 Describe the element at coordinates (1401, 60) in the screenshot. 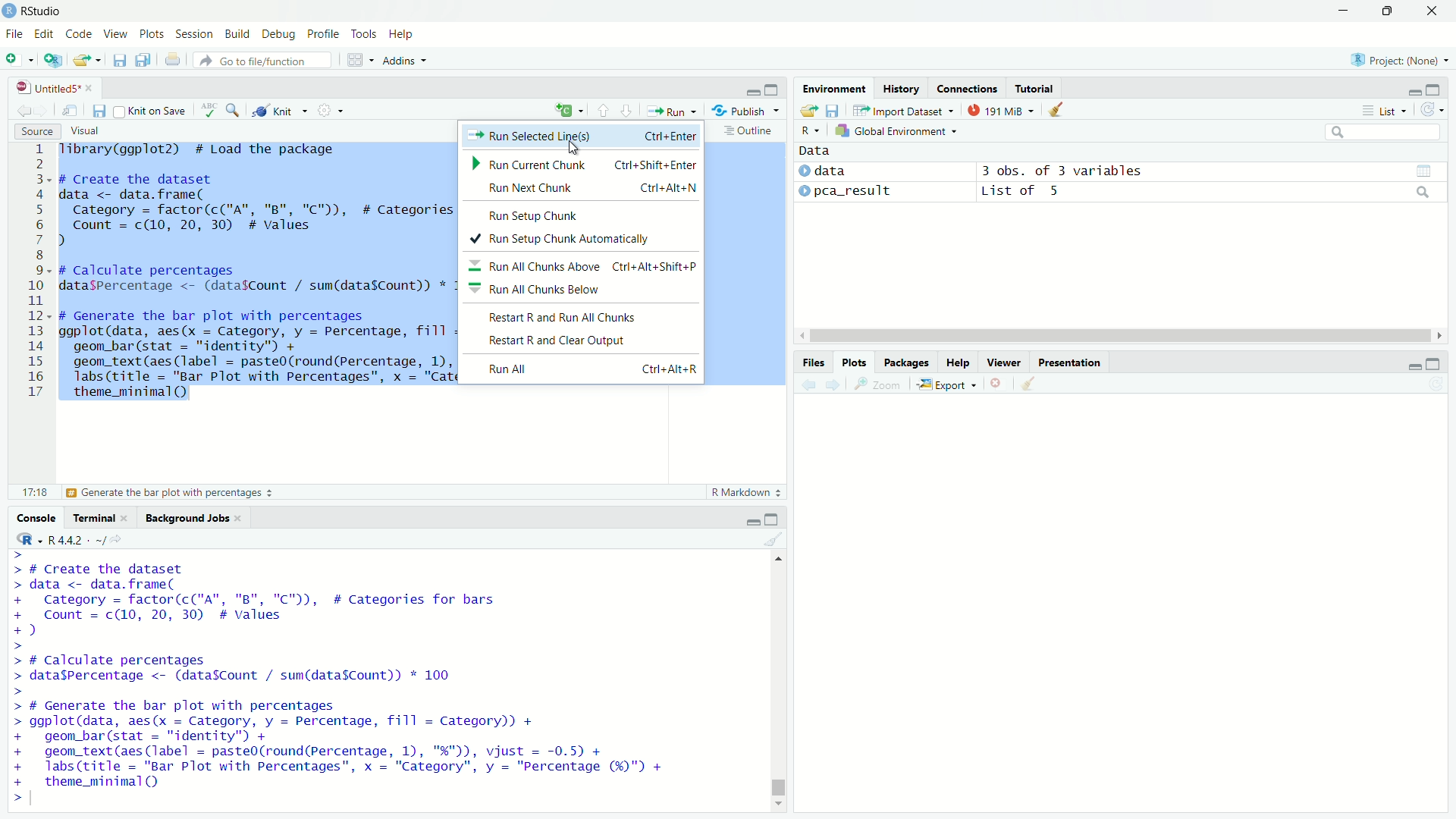

I see `selected project: None` at that location.